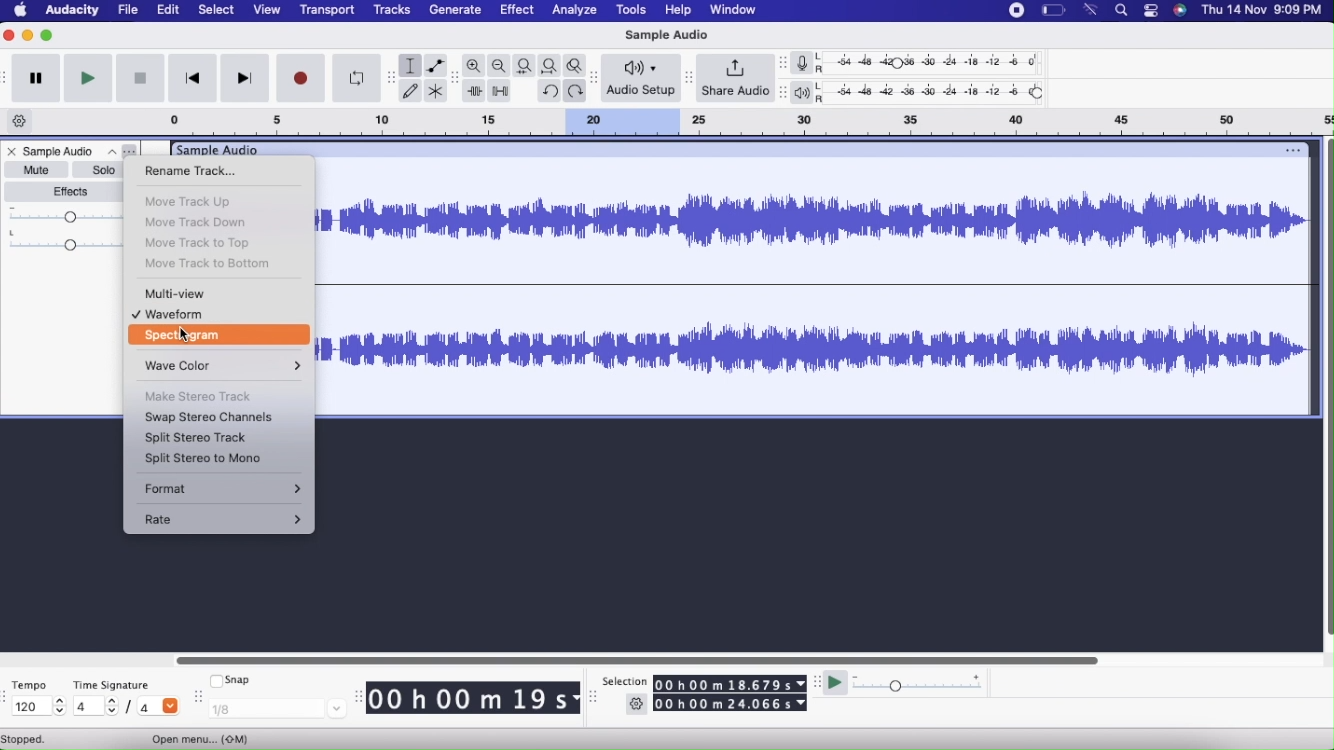 The image size is (1334, 750). I want to click on Pause, so click(36, 78).